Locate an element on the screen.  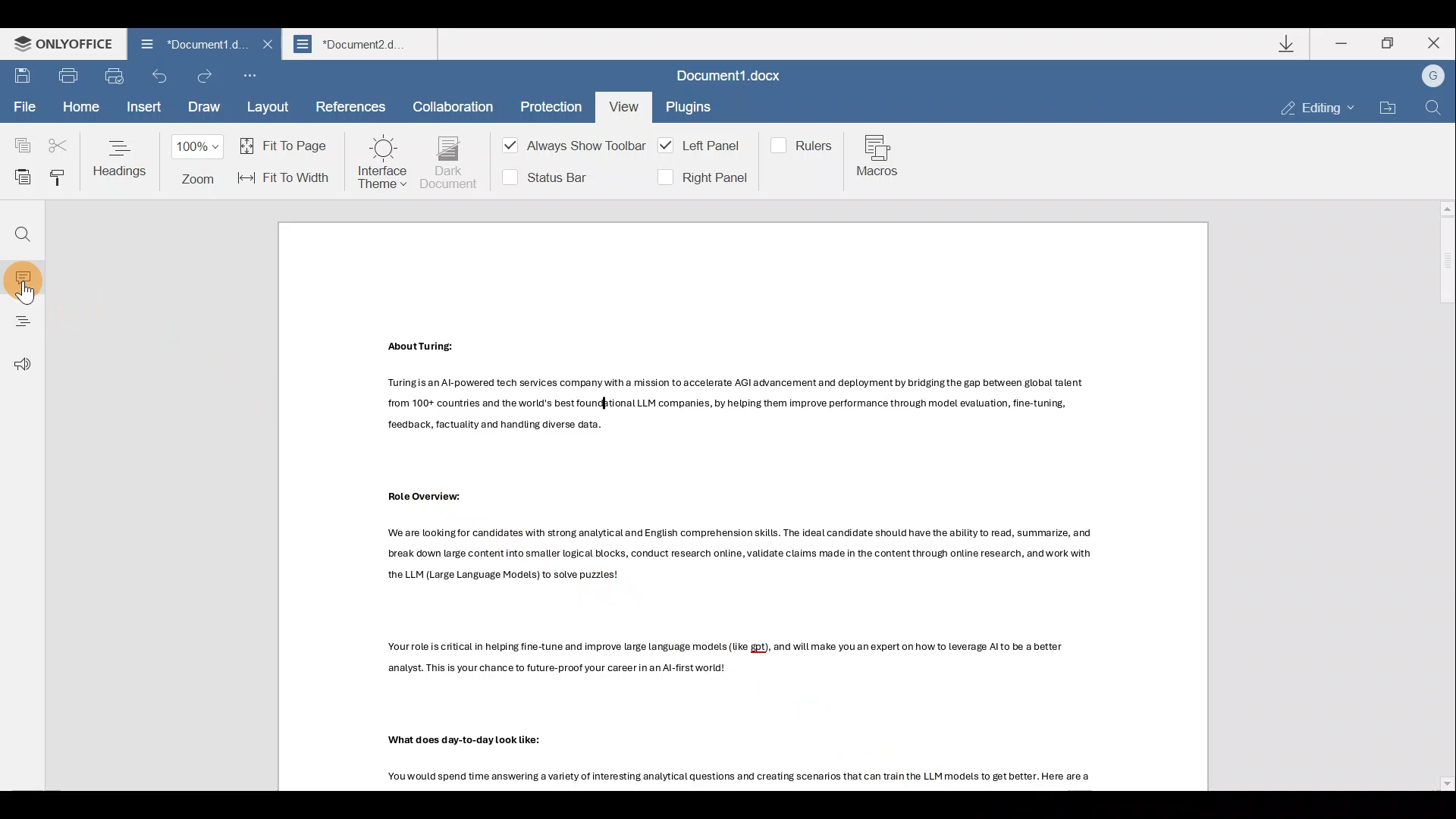
Quick print is located at coordinates (118, 77).